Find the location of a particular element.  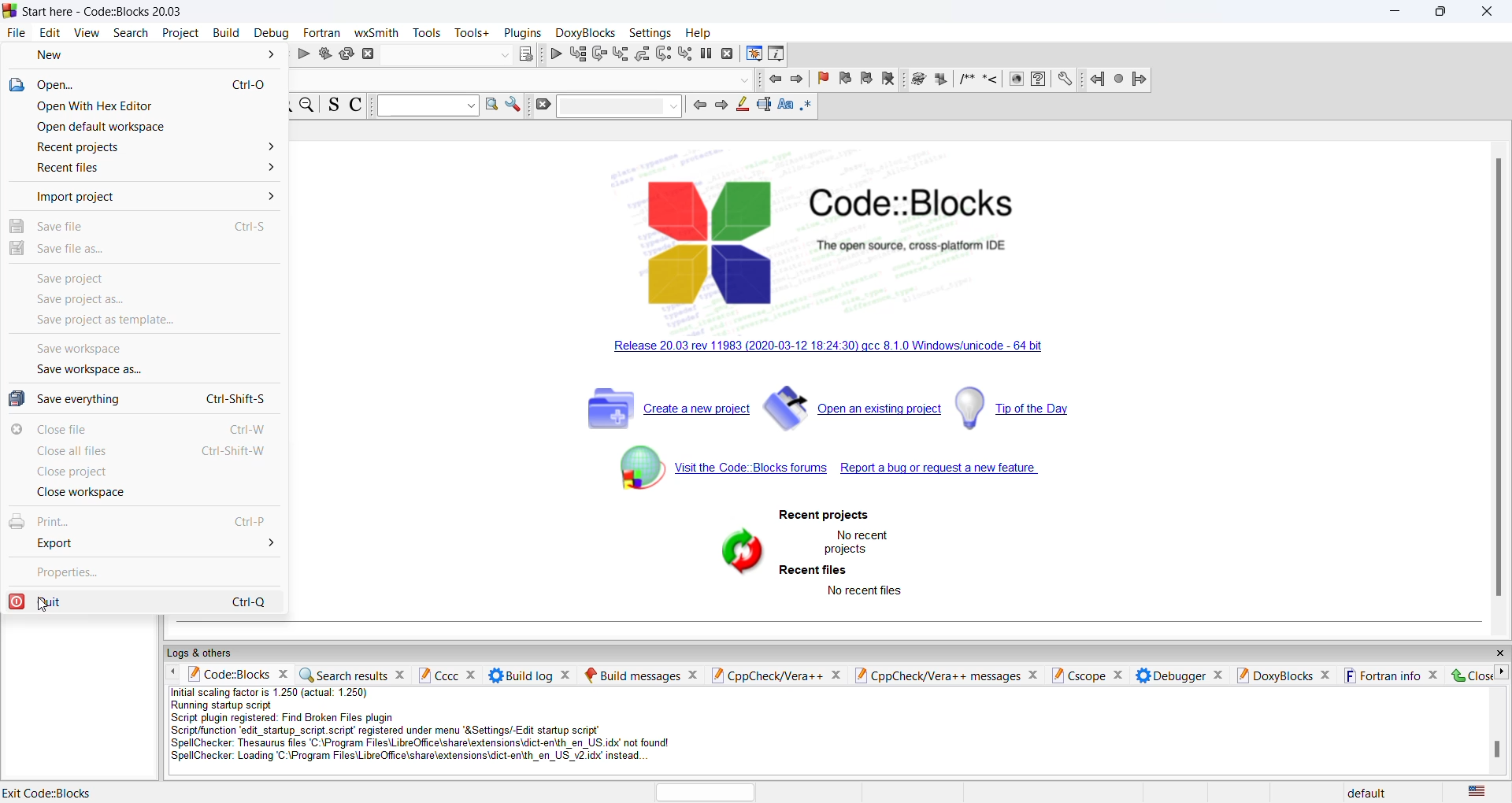

tools is located at coordinates (428, 32).